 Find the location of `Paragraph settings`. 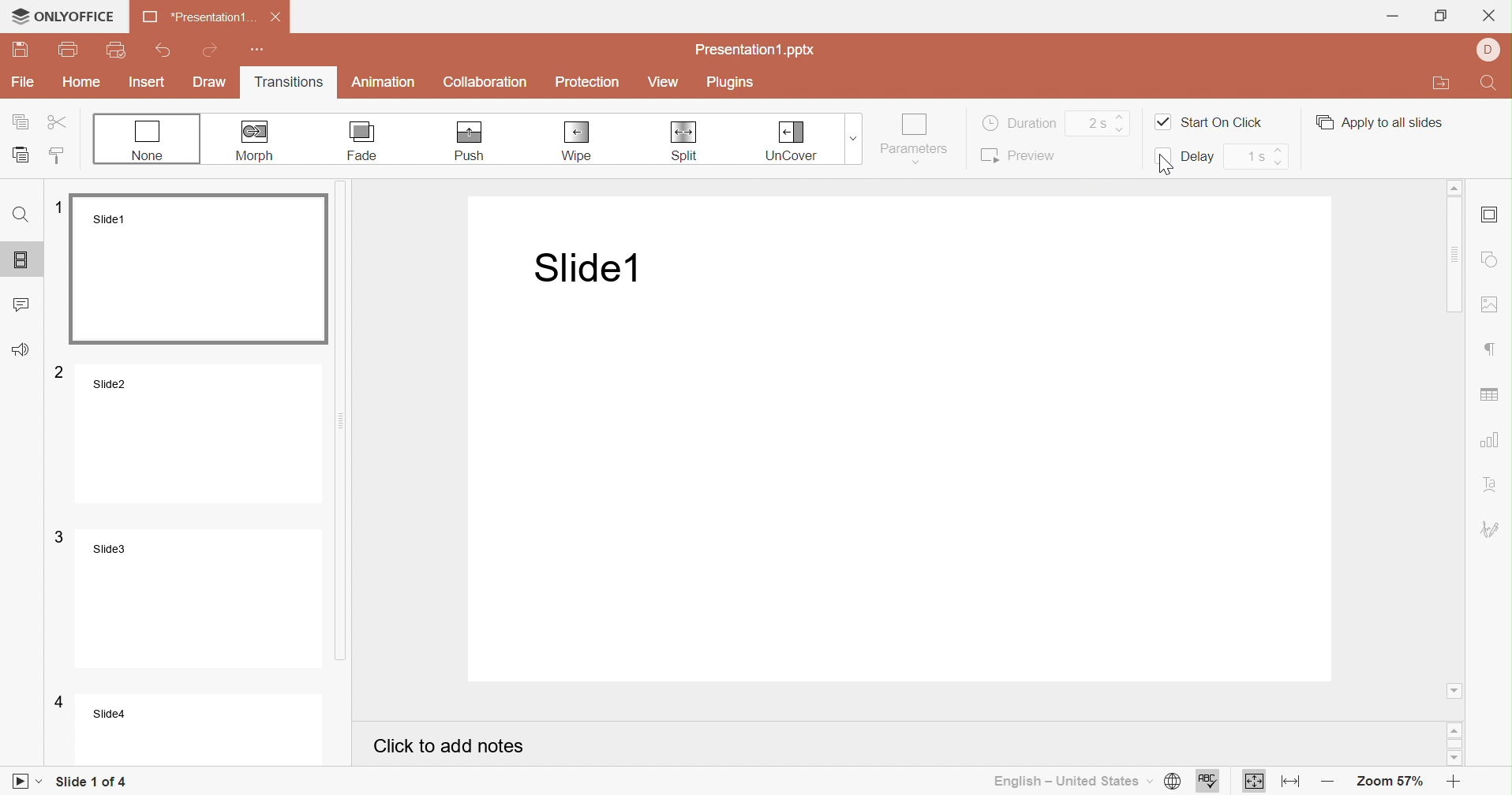

Paragraph settings is located at coordinates (1492, 349).